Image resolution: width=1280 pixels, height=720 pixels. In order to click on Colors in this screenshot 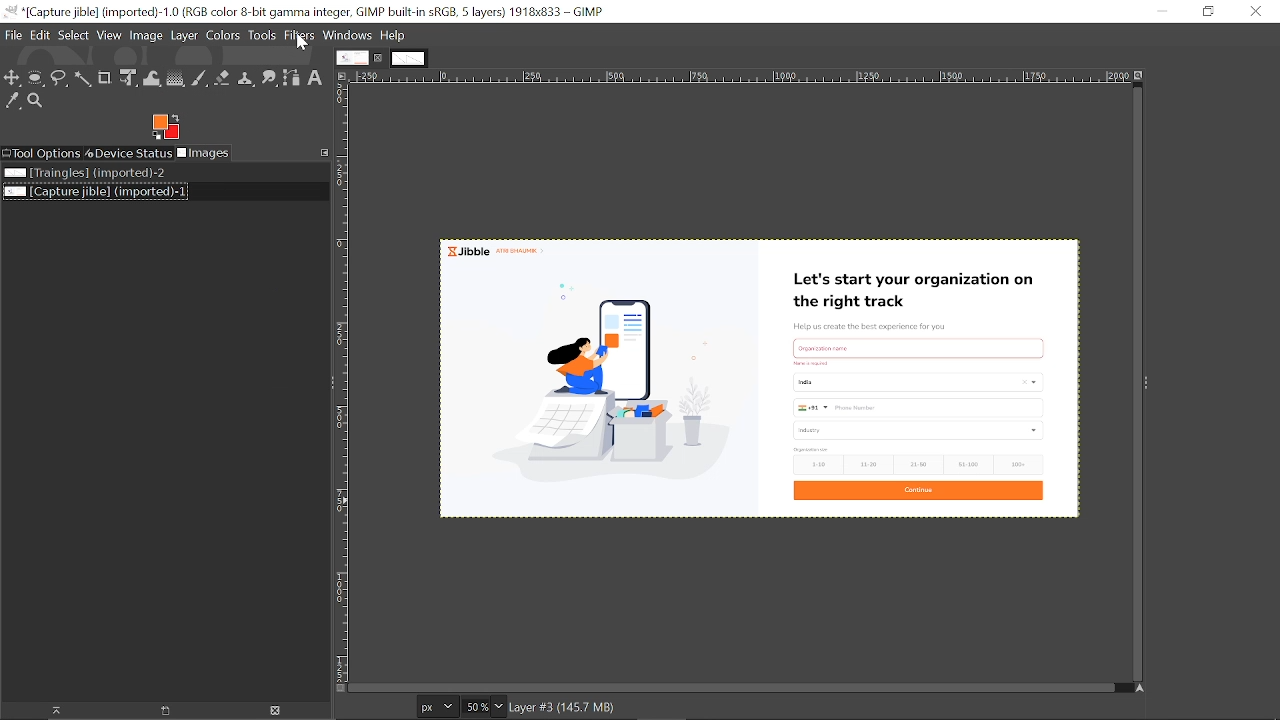, I will do `click(225, 37)`.